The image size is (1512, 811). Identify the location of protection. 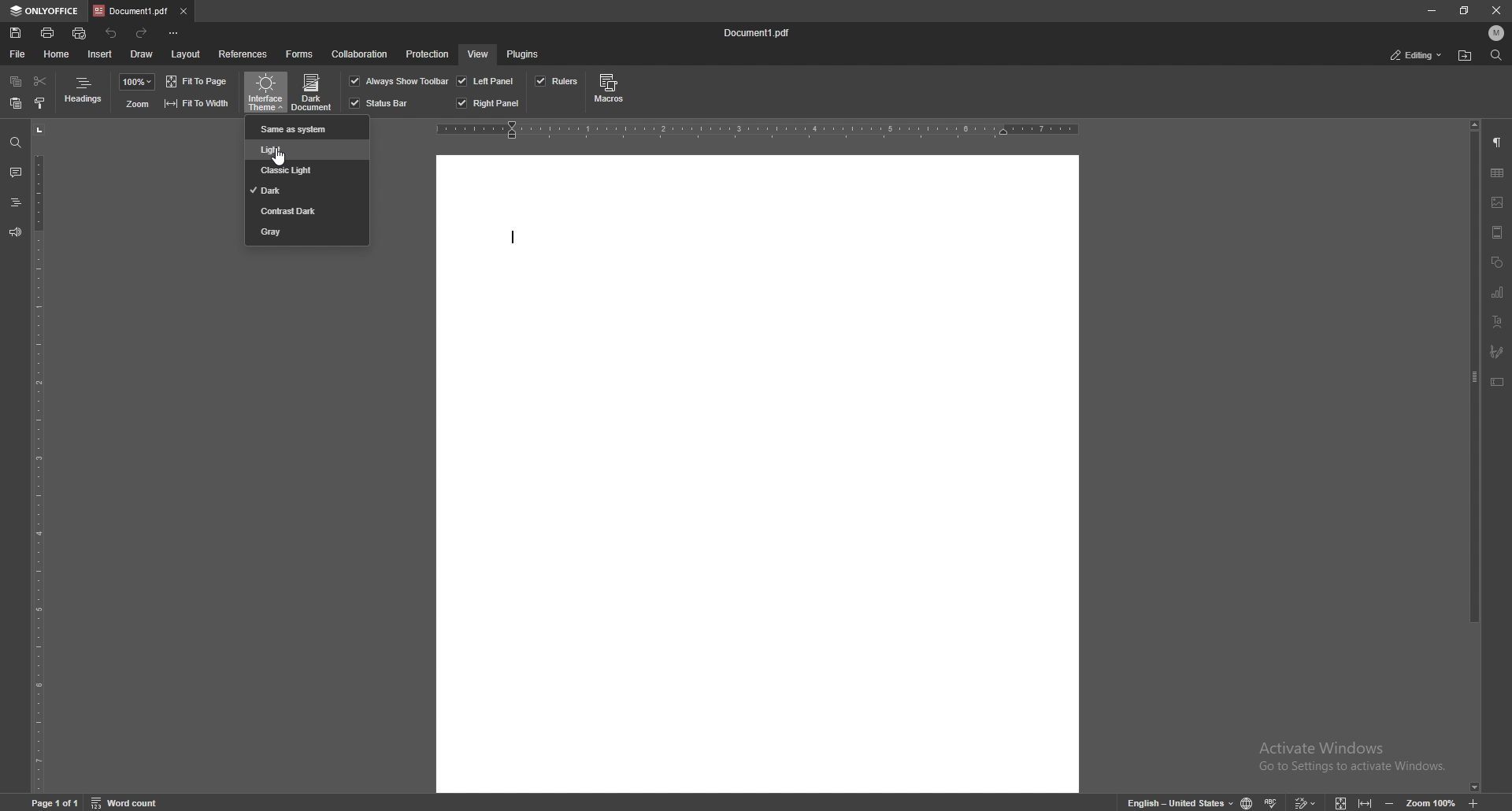
(428, 54).